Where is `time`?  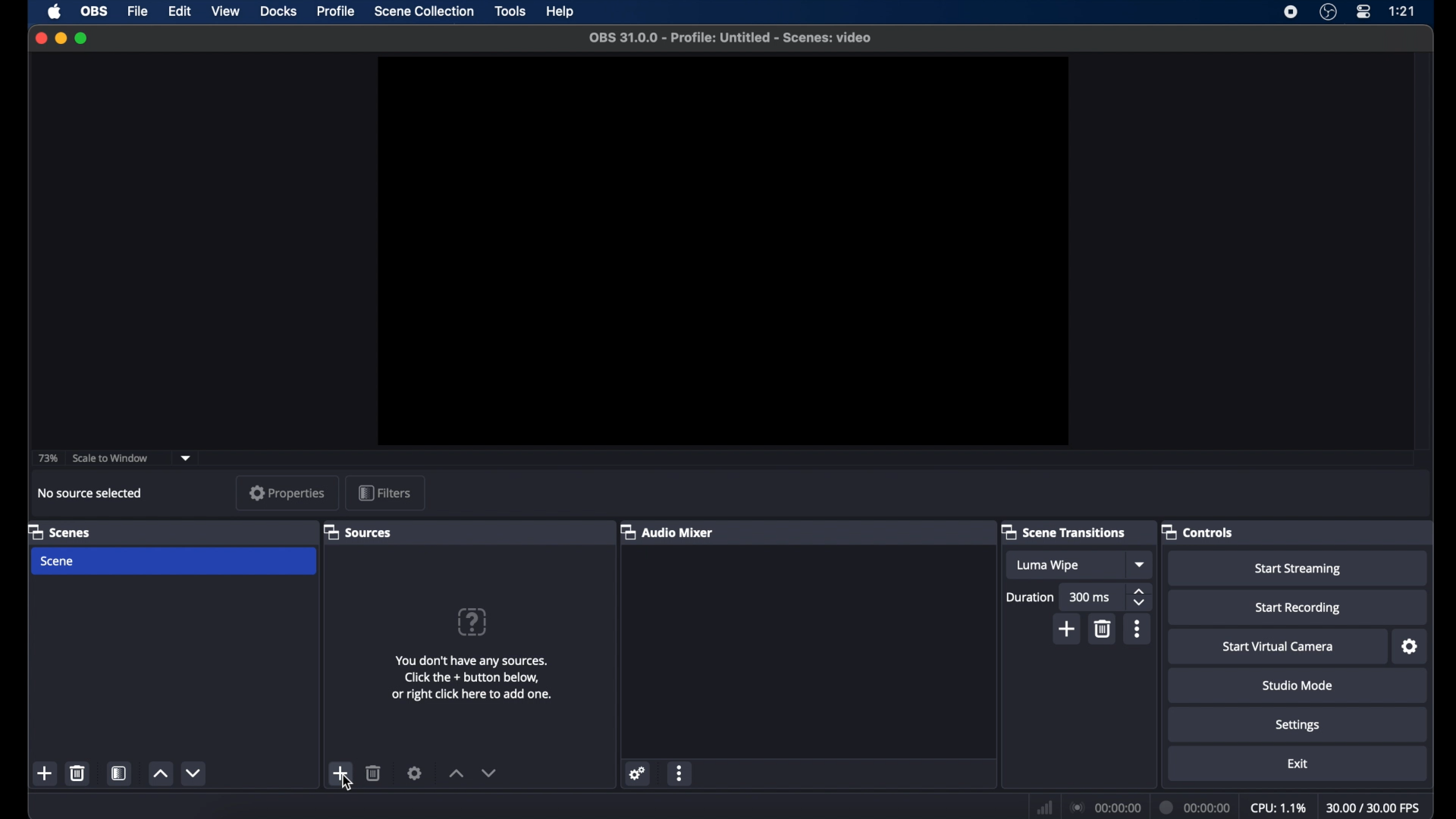
time is located at coordinates (1401, 11).